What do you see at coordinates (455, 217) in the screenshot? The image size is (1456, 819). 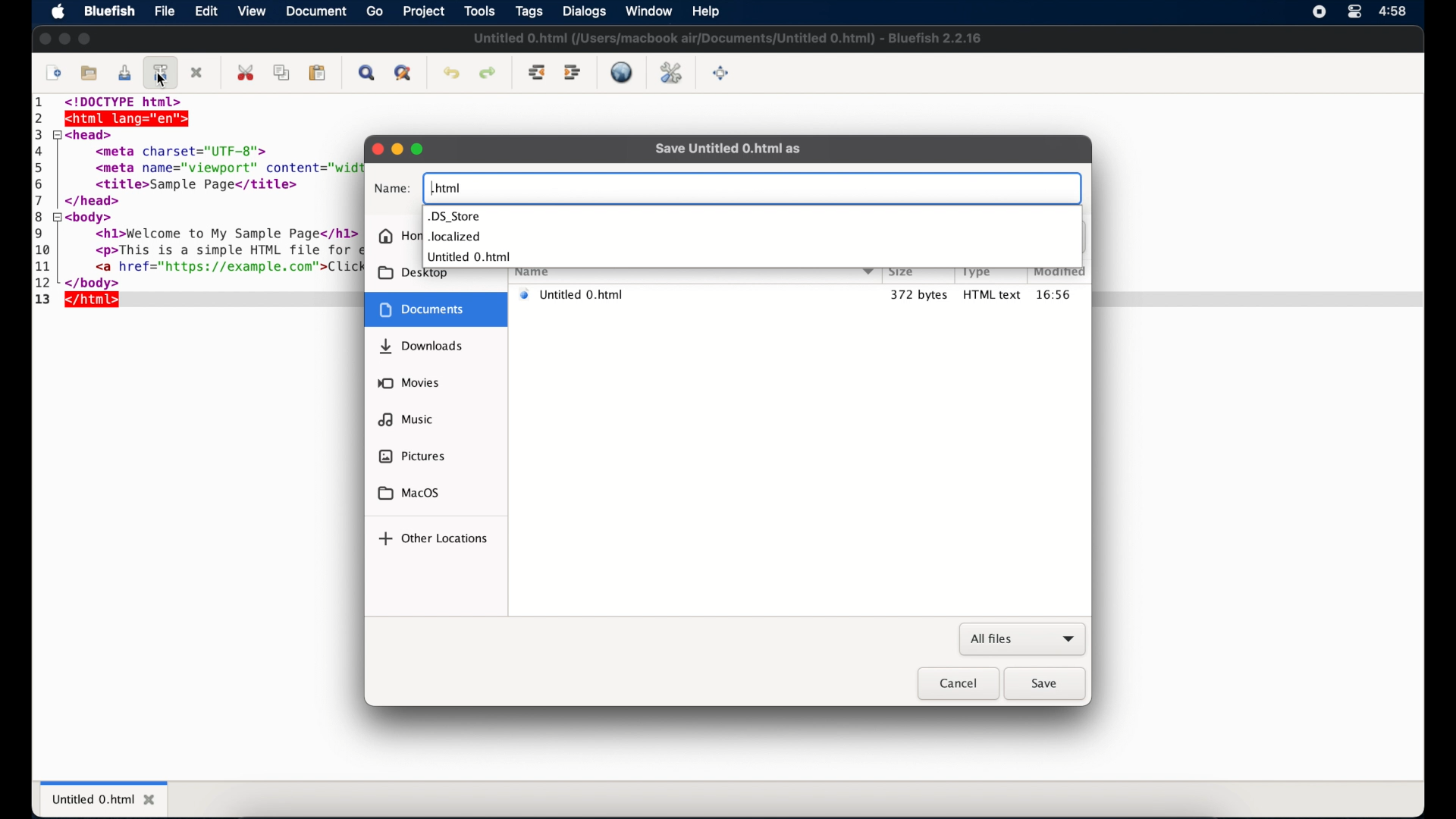 I see `.DS_Store` at bounding box center [455, 217].